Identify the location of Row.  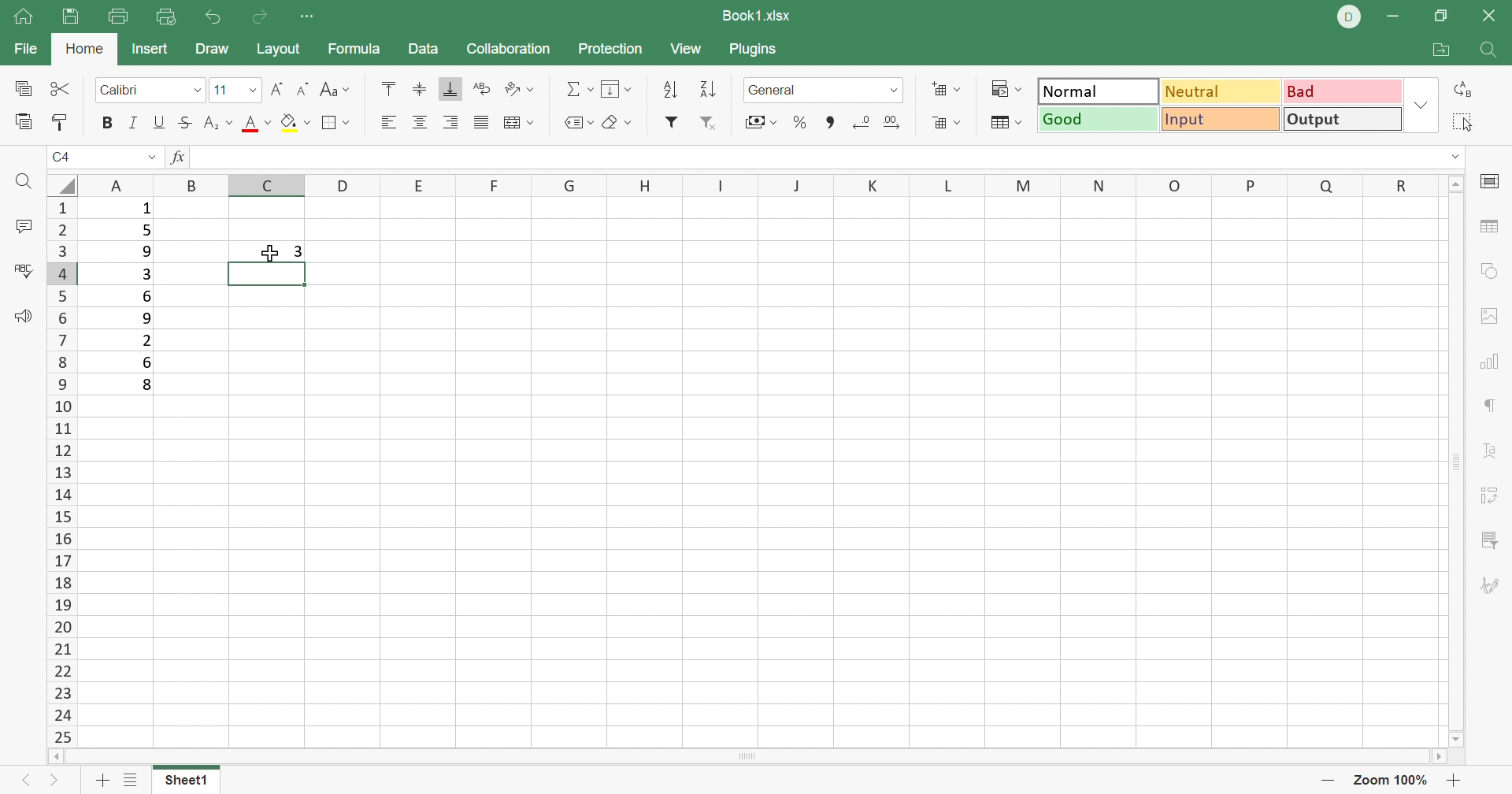
(765, 186).